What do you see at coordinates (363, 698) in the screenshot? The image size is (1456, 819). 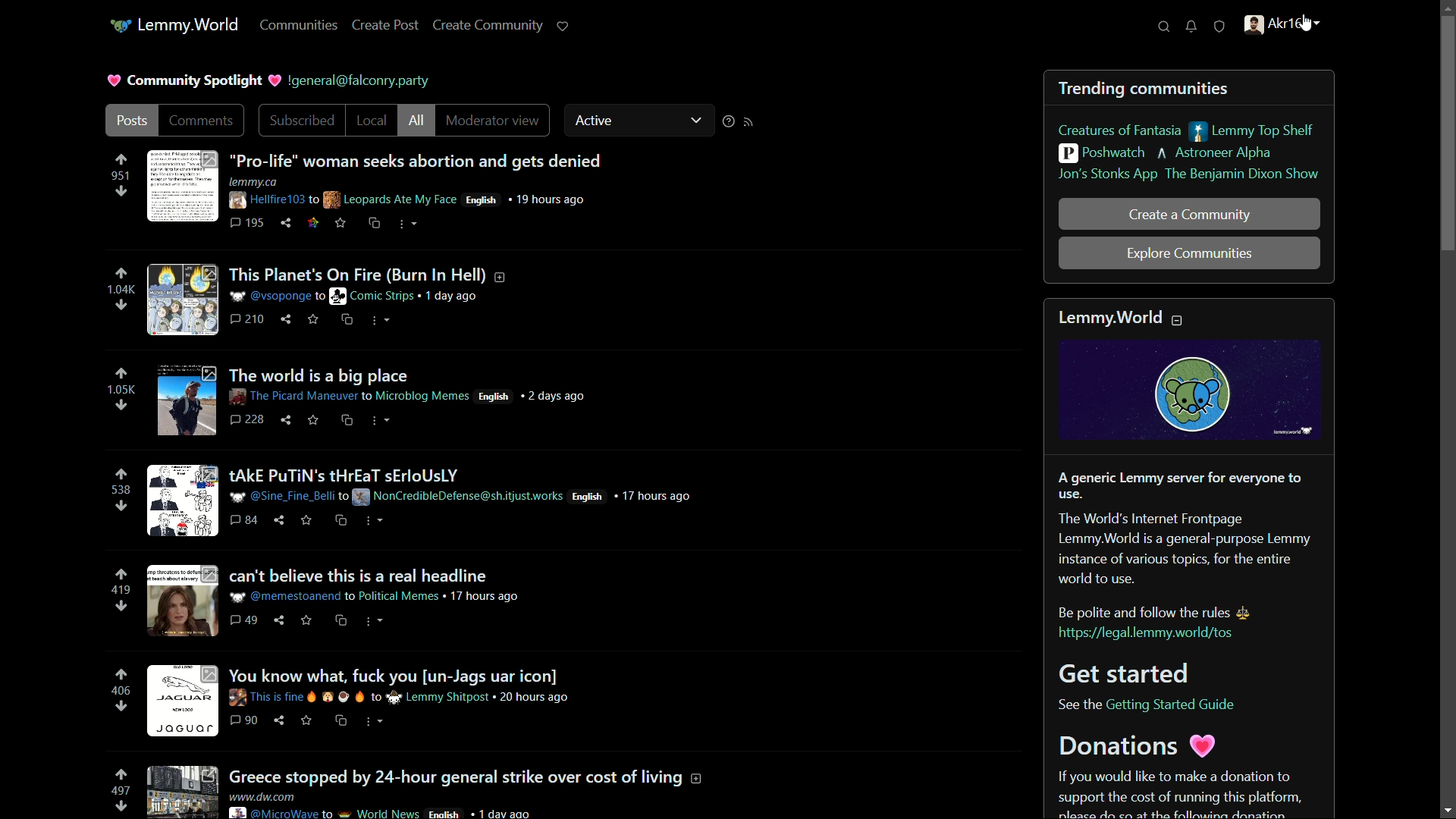 I see `post-6` at bounding box center [363, 698].